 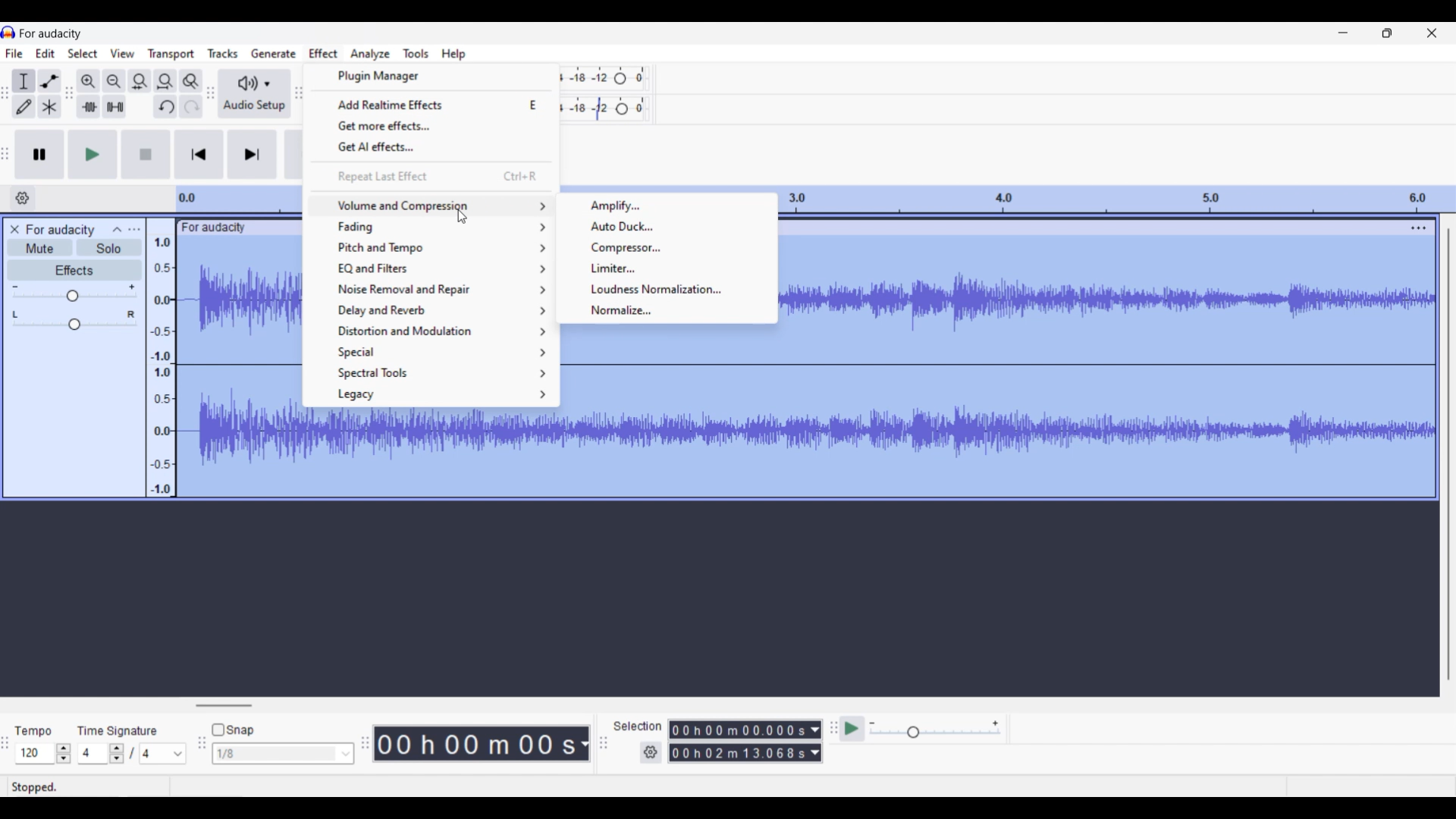 What do you see at coordinates (815, 741) in the screenshot?
I see `Duration measurement` at bounding box center [815, 741].